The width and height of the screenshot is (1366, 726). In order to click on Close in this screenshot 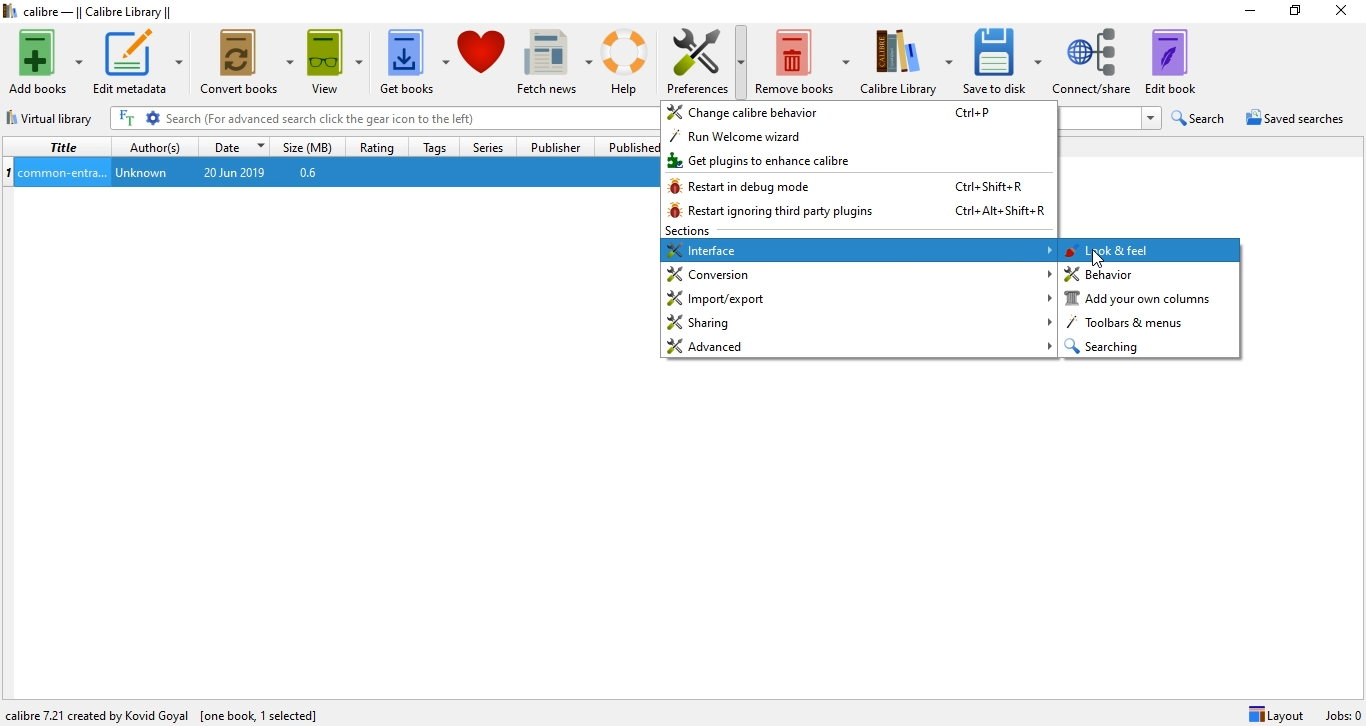, I will do `click(1345, 13)`.